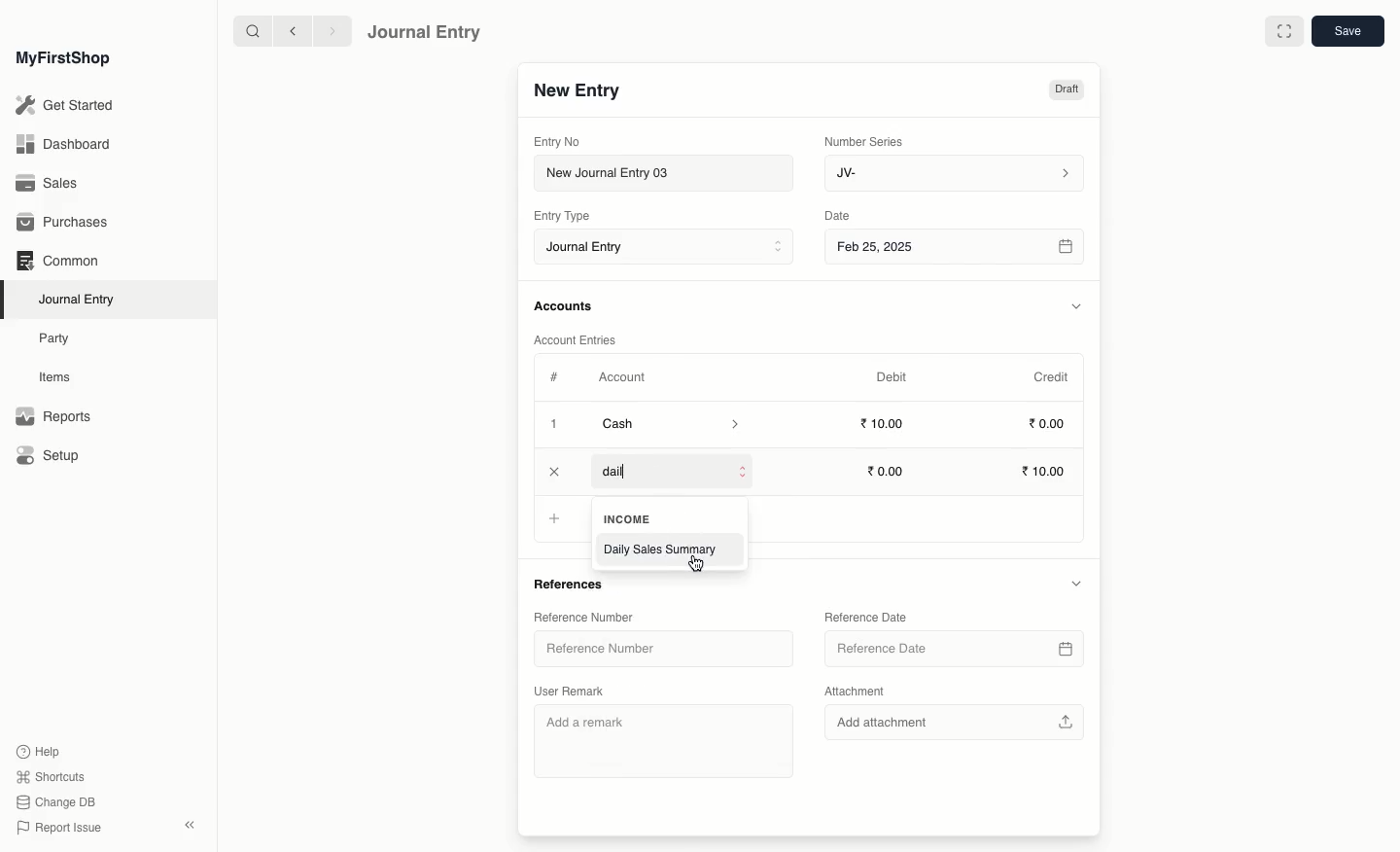 This screenshot has width=1400, height=852. What do you see at coordinates (956, 246) in the screenshot?
I see `Feb 25, 2025 8` at bounding box center [956, 246].